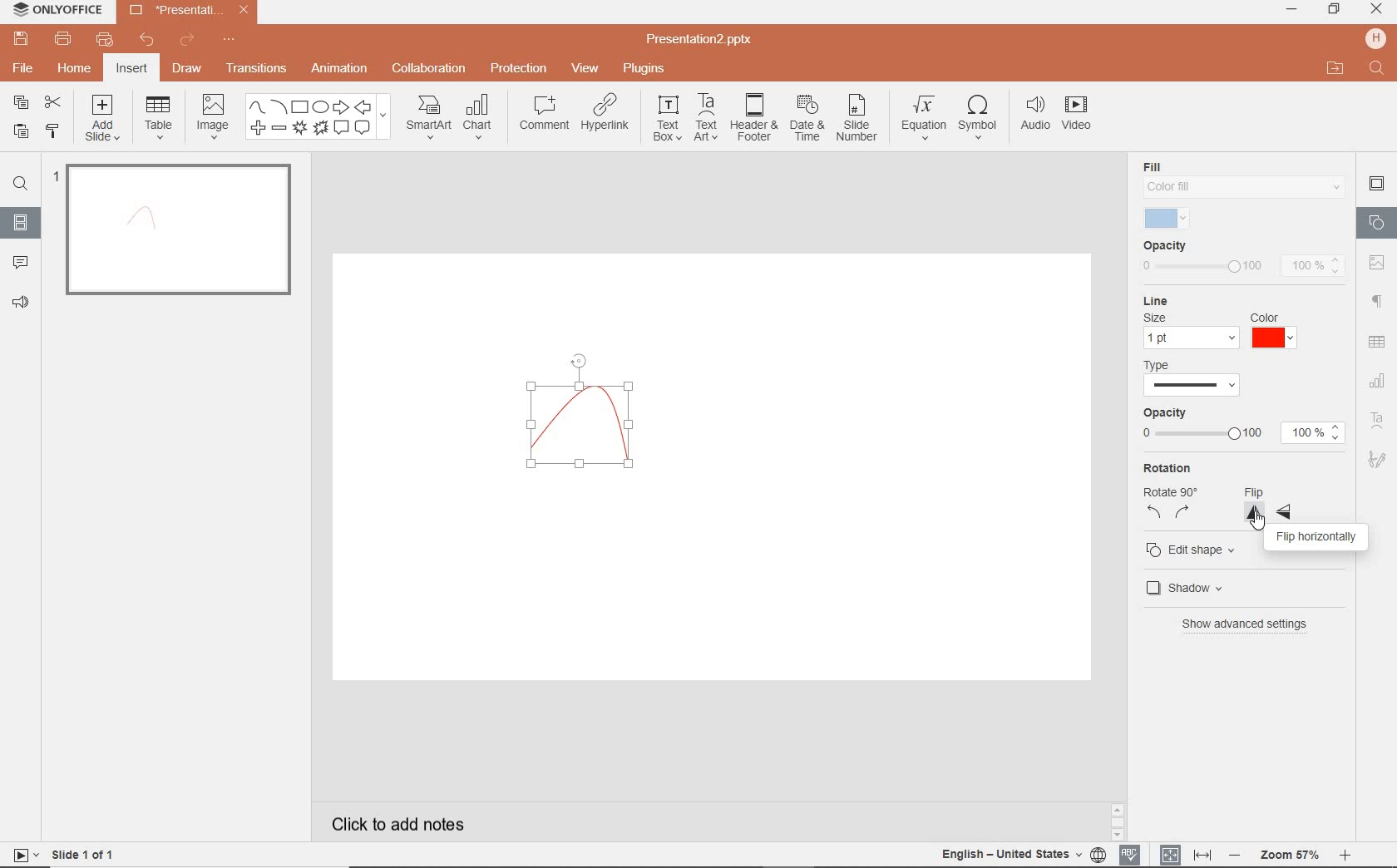 The width and height of the screenshot is (1397, 868). What do you see at coordinates (62, 38) in the screenshot?
I see `PRINT` at bounding box center [62, 38].